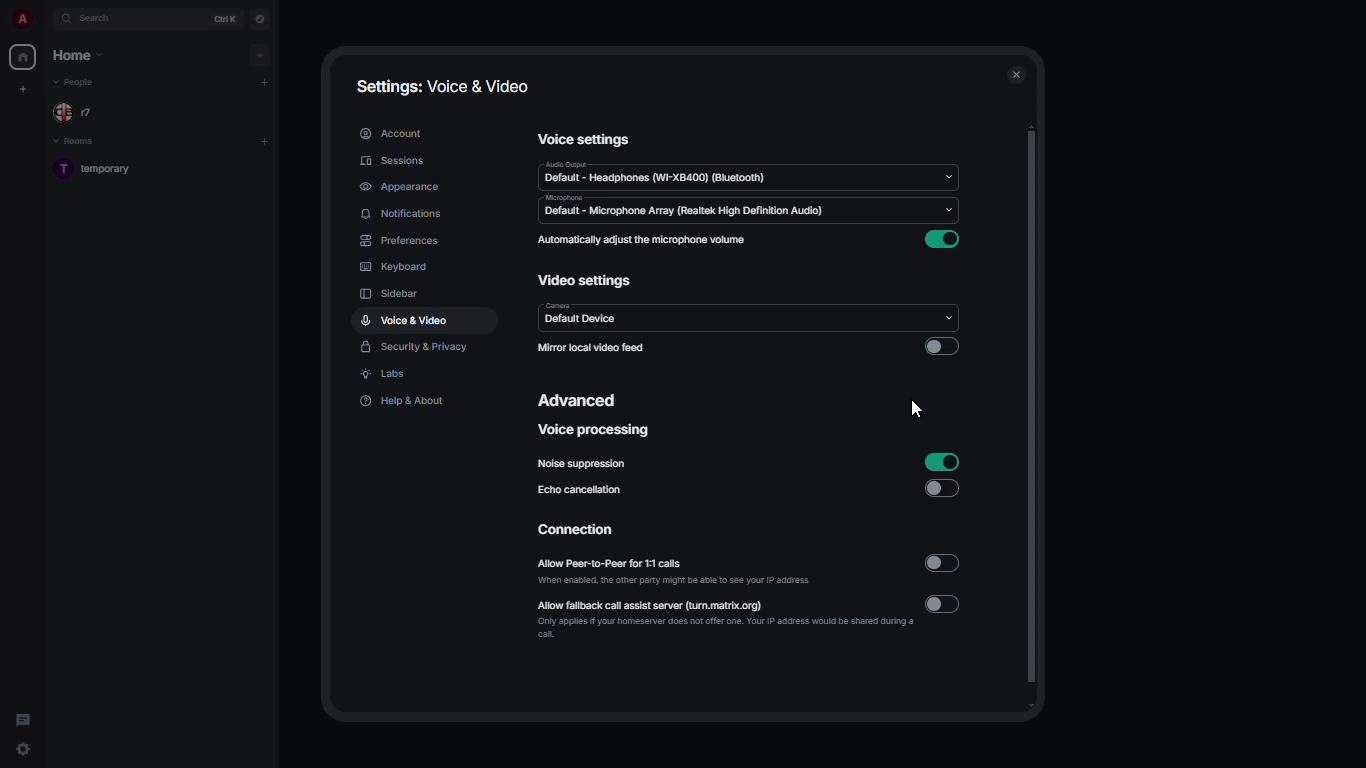  What do you see at coordinates (22, 57) in the screenshot?
I see `home` at bounding box center [22, 57].